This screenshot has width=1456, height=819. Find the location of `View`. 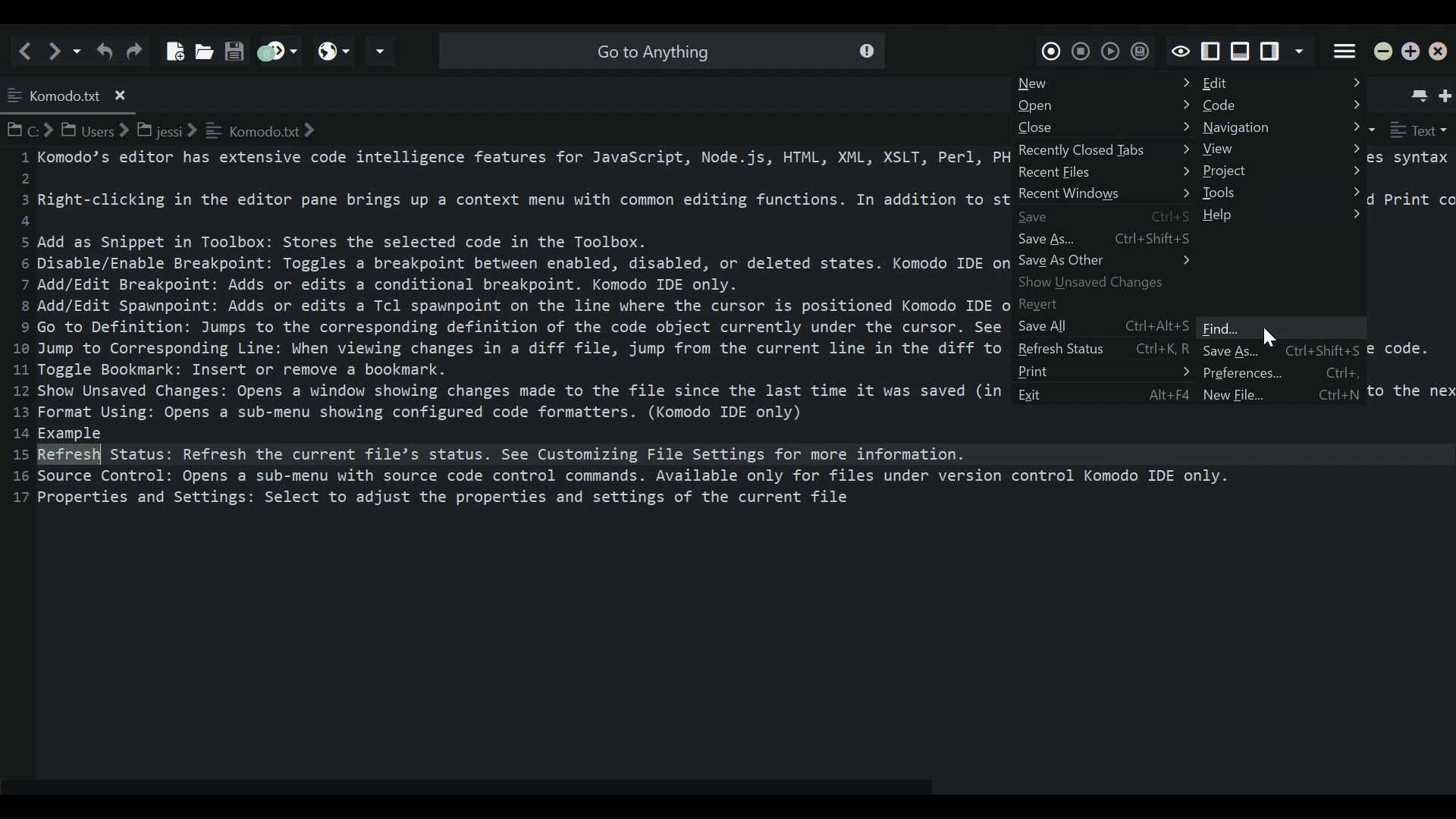

View is located at coordinates (1282, 149).